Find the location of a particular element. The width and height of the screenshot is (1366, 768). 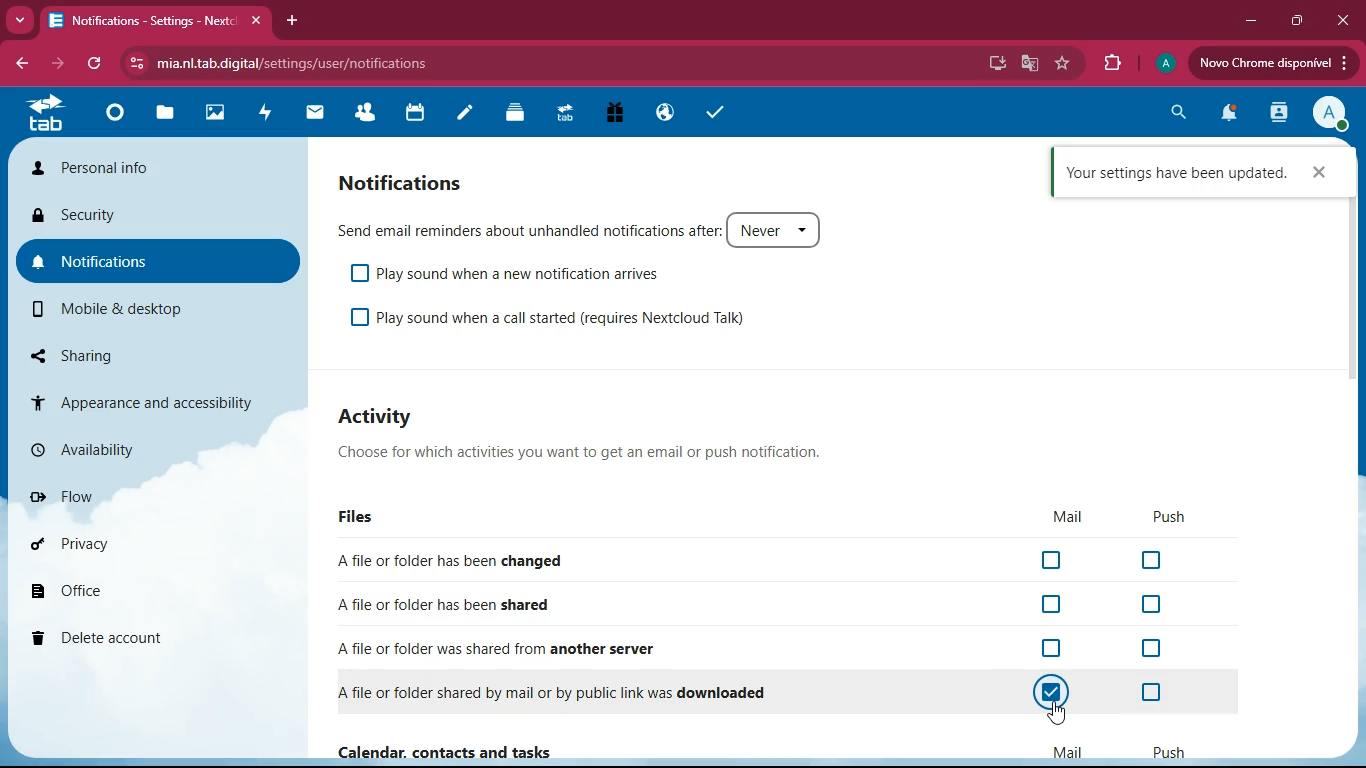

add tab is located at coordinates (296, 21).